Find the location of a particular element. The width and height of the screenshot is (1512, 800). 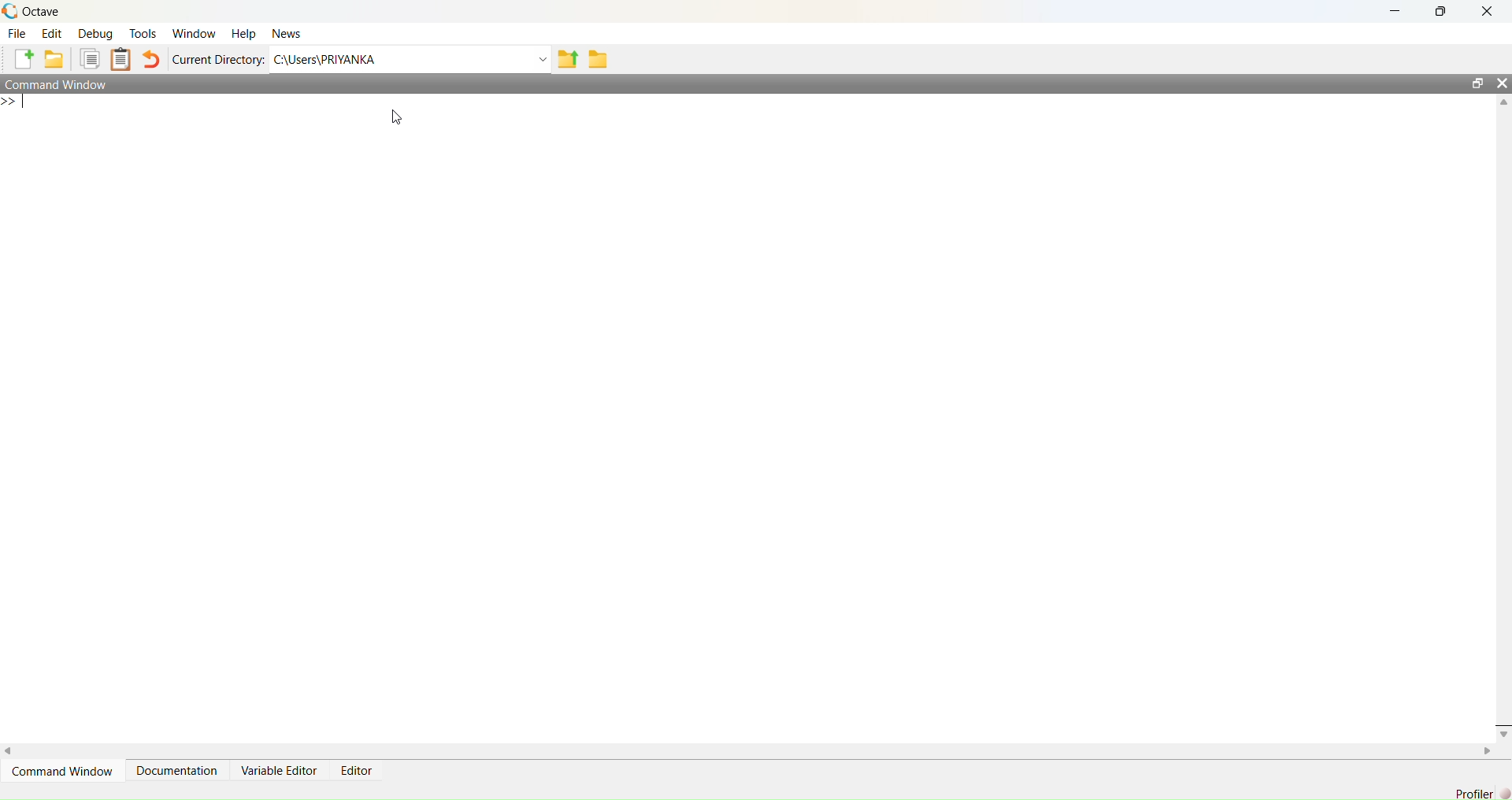

Variable Editor is located at coordinates (279, 770).